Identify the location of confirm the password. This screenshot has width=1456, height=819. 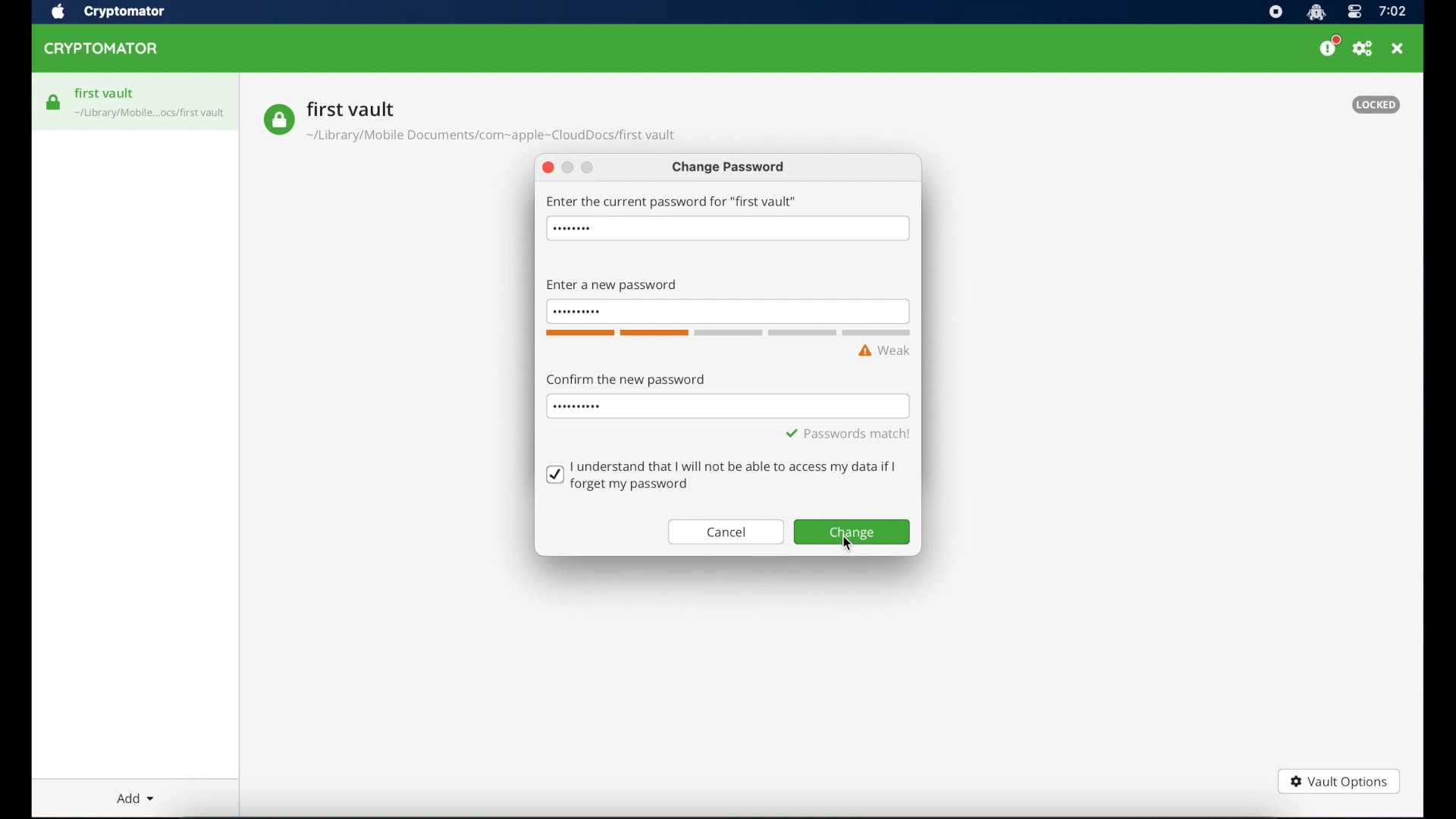
(626, 379).